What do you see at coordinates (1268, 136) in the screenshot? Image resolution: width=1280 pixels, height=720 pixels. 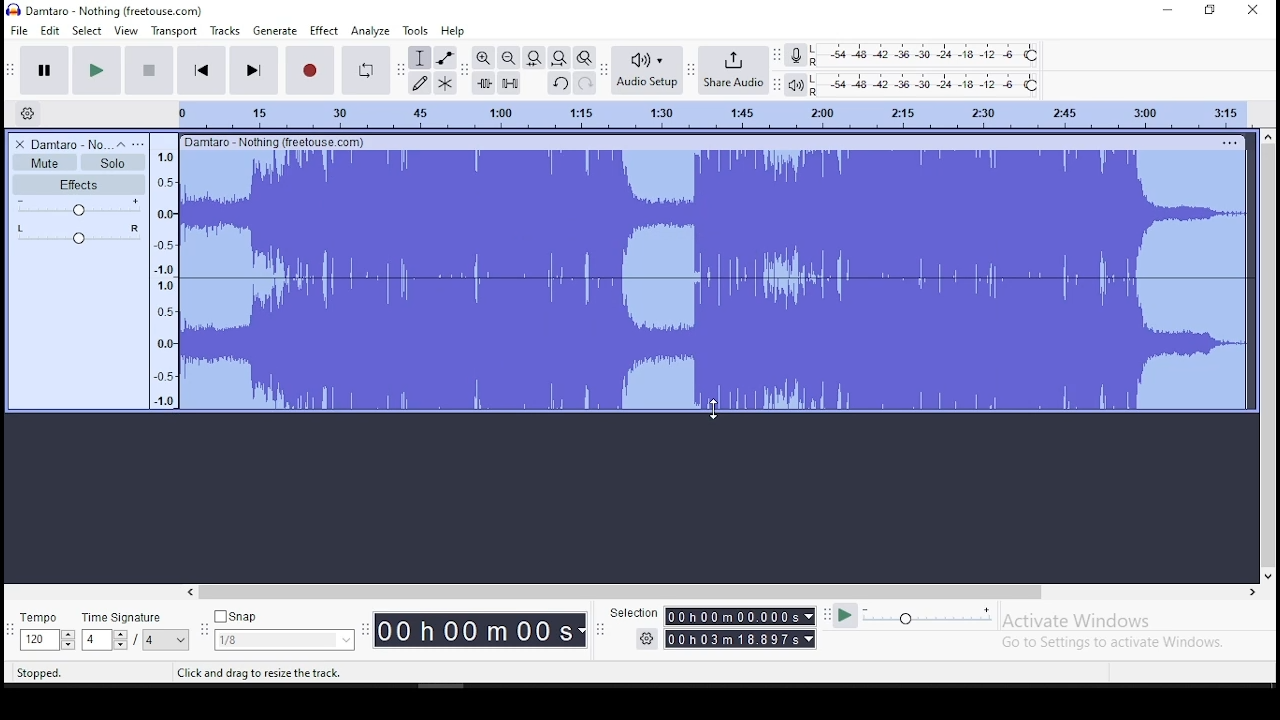 I see `up` at bounding box center [1268, 136].